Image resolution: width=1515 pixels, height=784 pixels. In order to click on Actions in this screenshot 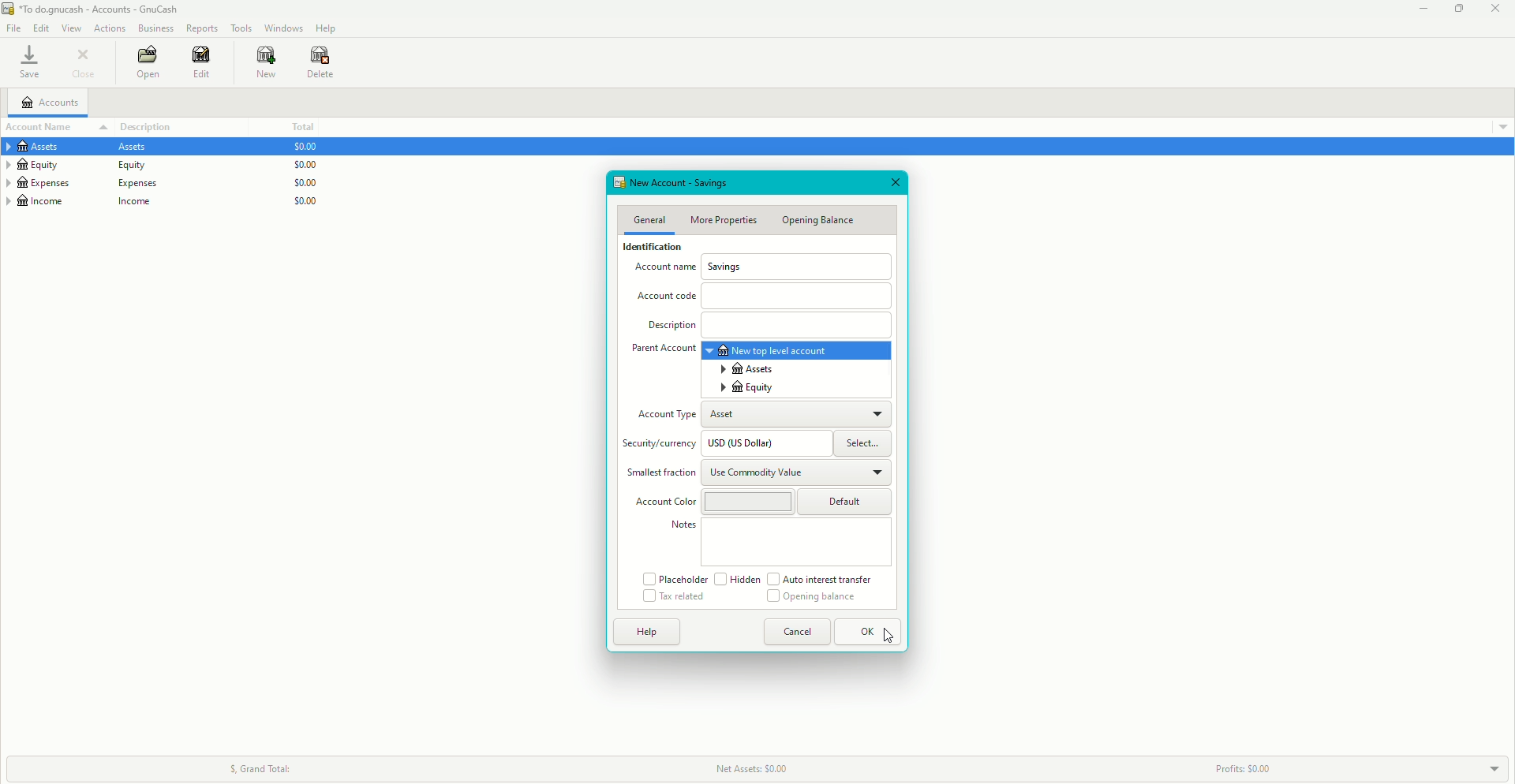, I will do `click(110, 28)`.